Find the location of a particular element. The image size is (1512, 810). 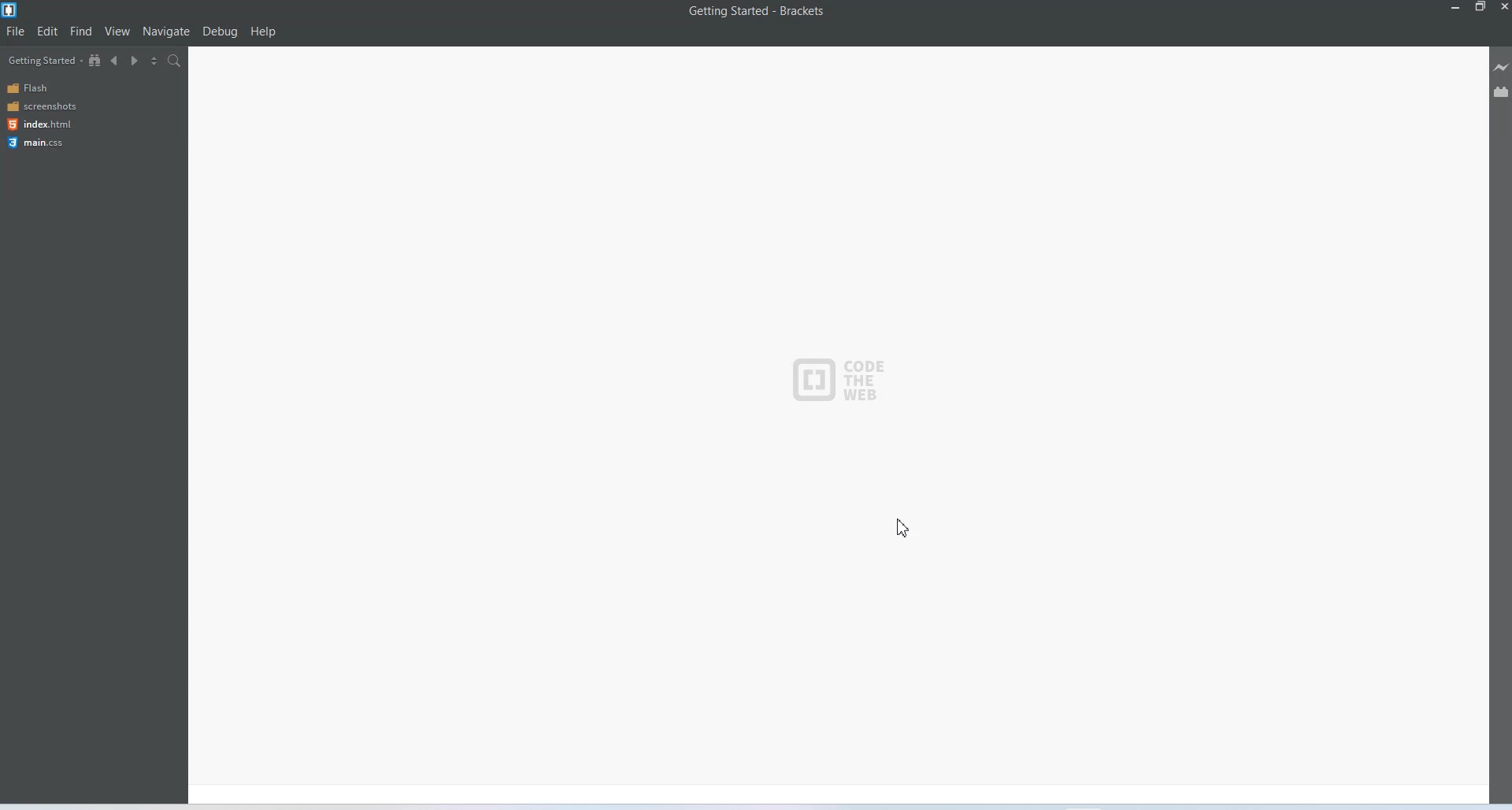

Navigate is located at coordinates (166, 32).